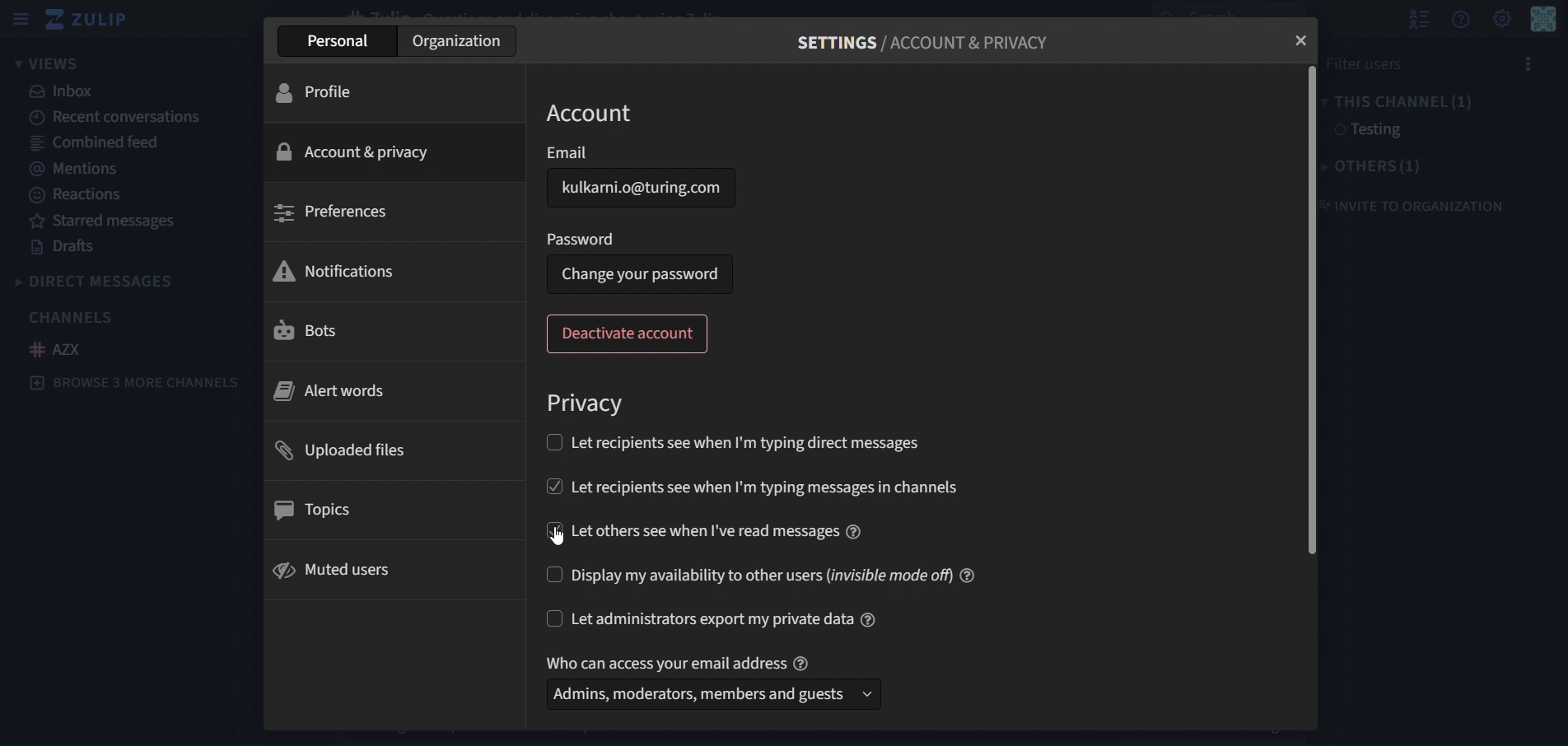 The height and width of the screenshot is (746, 1568). I want to click on preferences, so click(344, 212).